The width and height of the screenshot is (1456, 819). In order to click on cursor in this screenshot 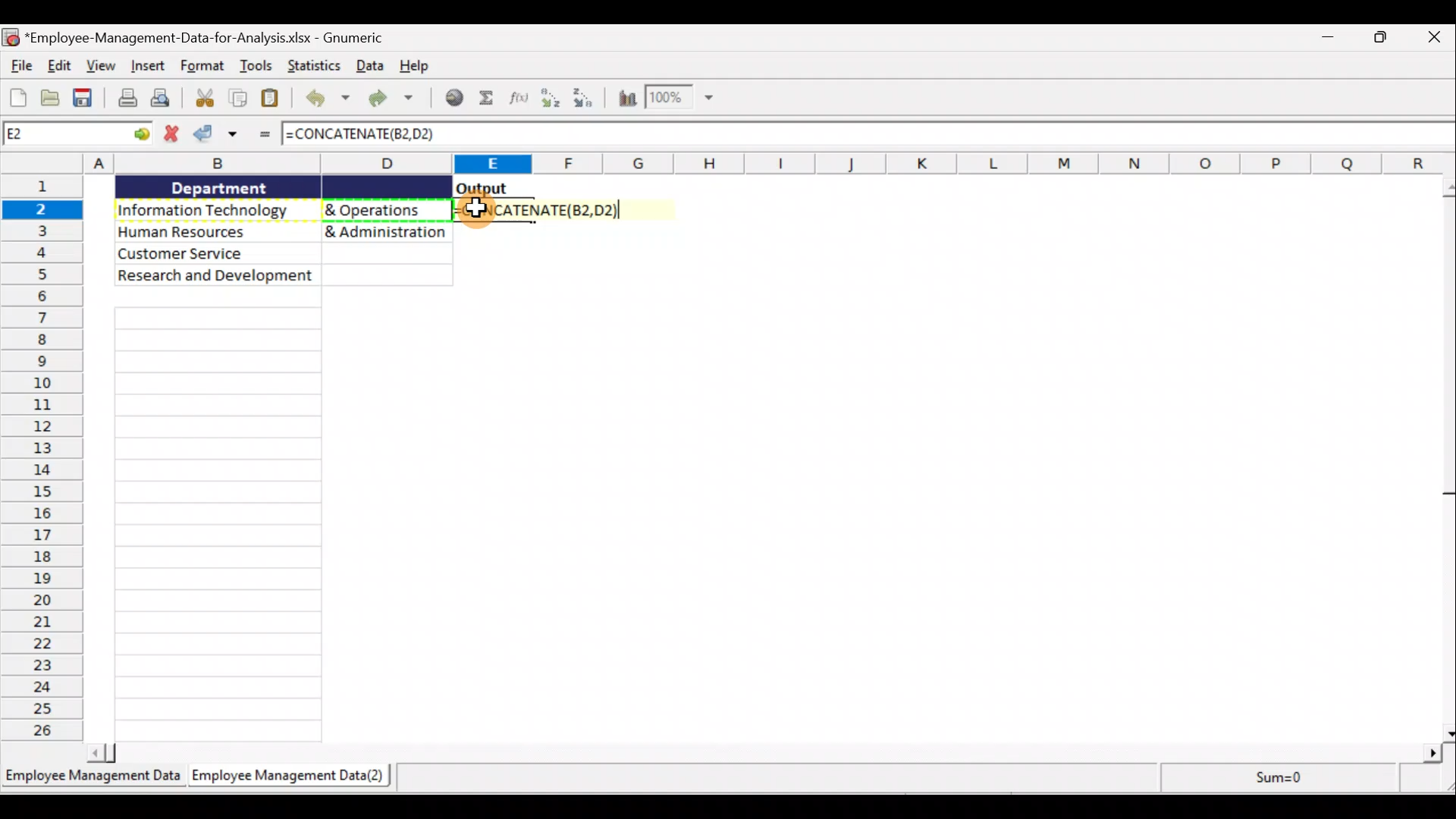, I will do `click(476, 208)`.